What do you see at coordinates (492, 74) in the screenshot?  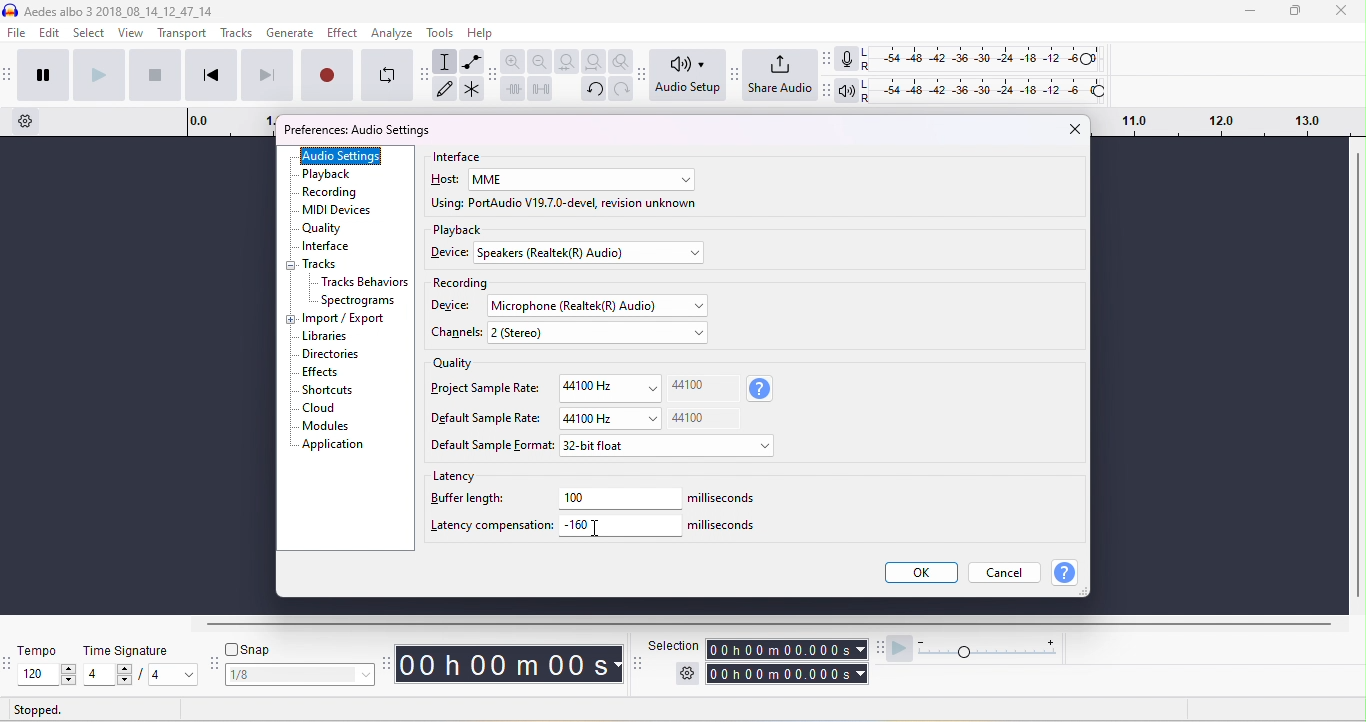 I see `audacity edit toolbar` at bounding box center [492, 74].